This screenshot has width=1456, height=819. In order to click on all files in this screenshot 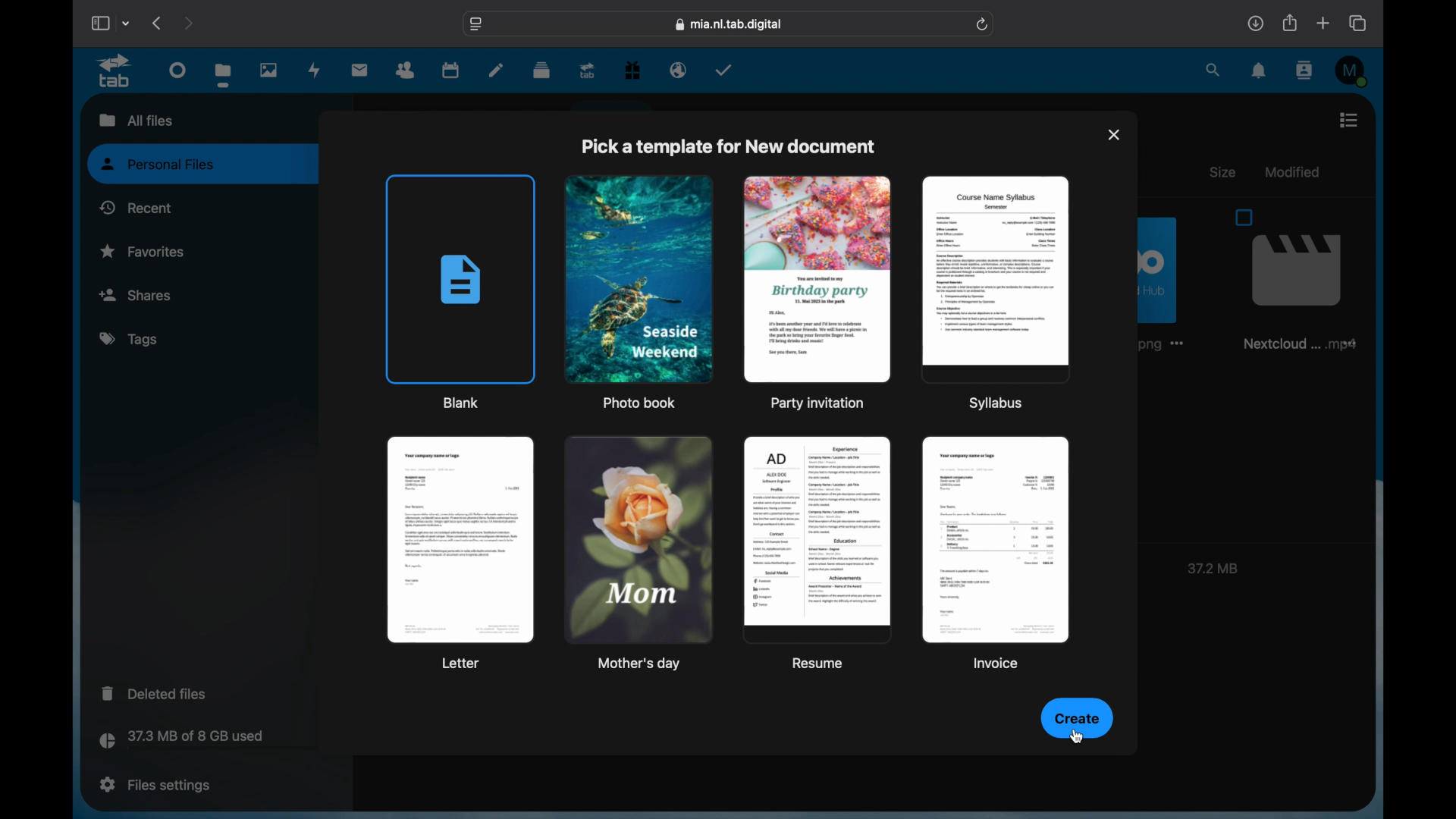, I will do `click(133, 119)`.